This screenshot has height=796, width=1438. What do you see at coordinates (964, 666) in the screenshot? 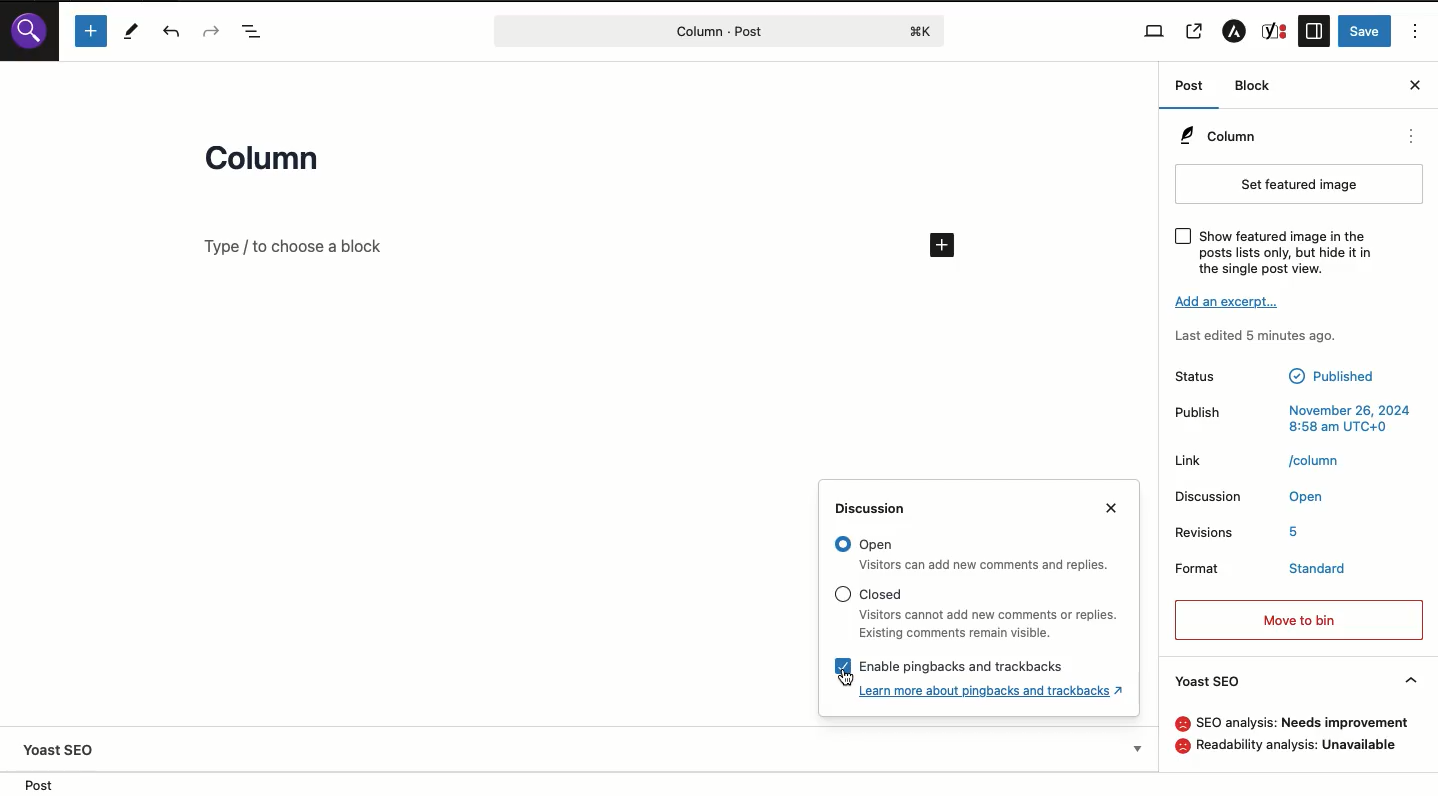
I see `` at bounding box center [964, 666].